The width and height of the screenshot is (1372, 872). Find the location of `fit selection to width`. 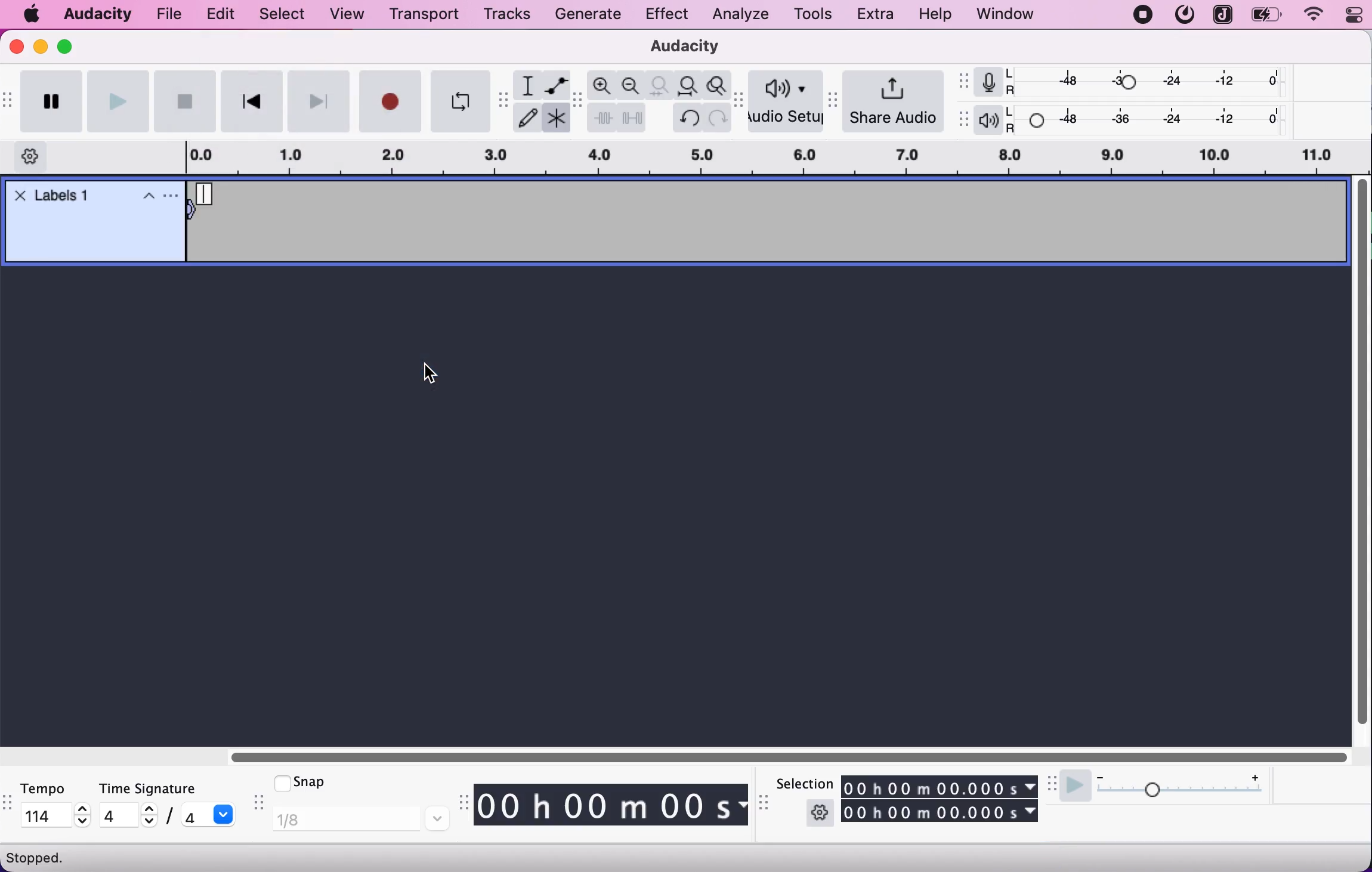

fit selection to width is located at coordinates (661, 84).